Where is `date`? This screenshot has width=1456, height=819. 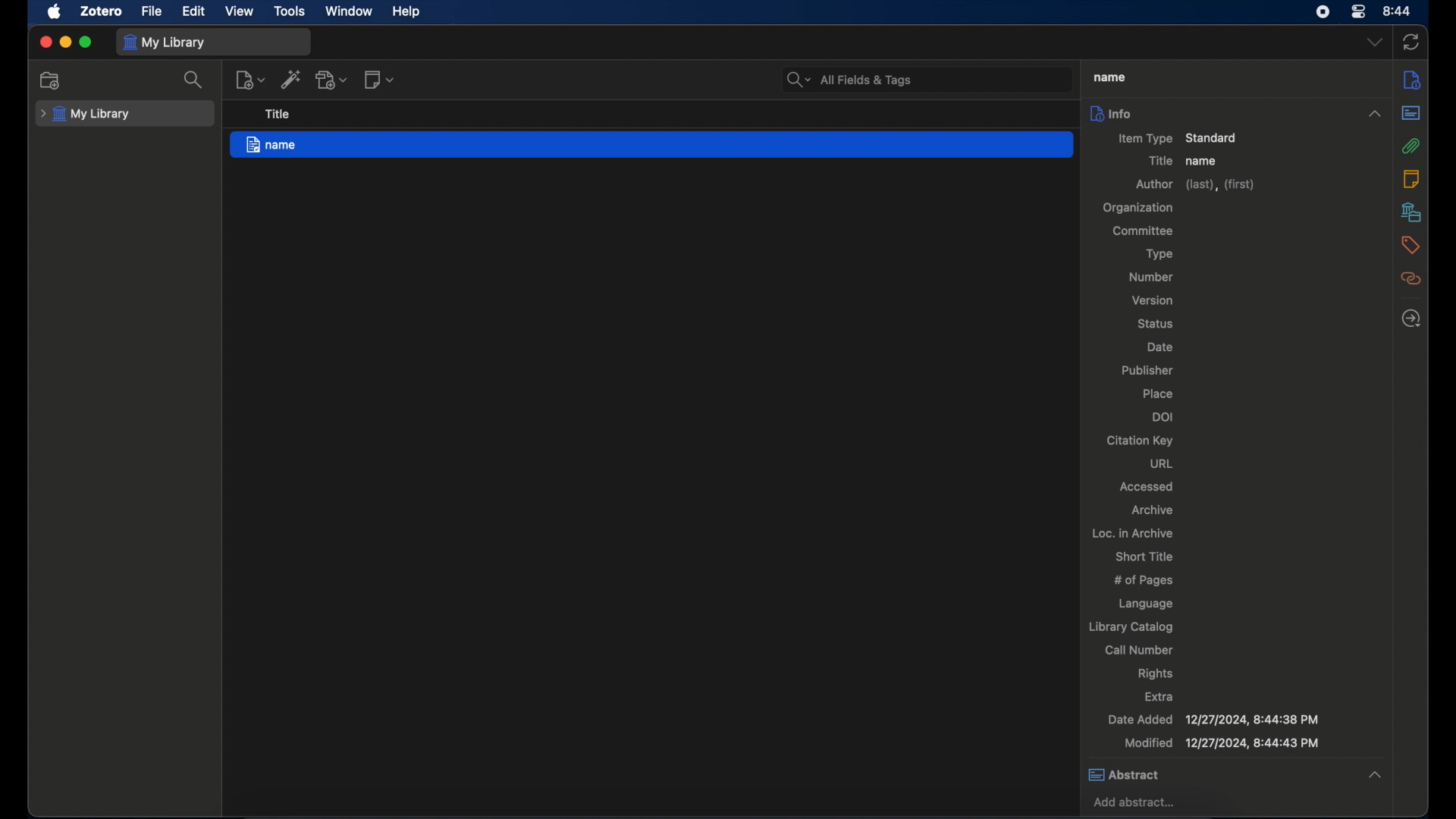 date is located at coordinates (1157, 347).